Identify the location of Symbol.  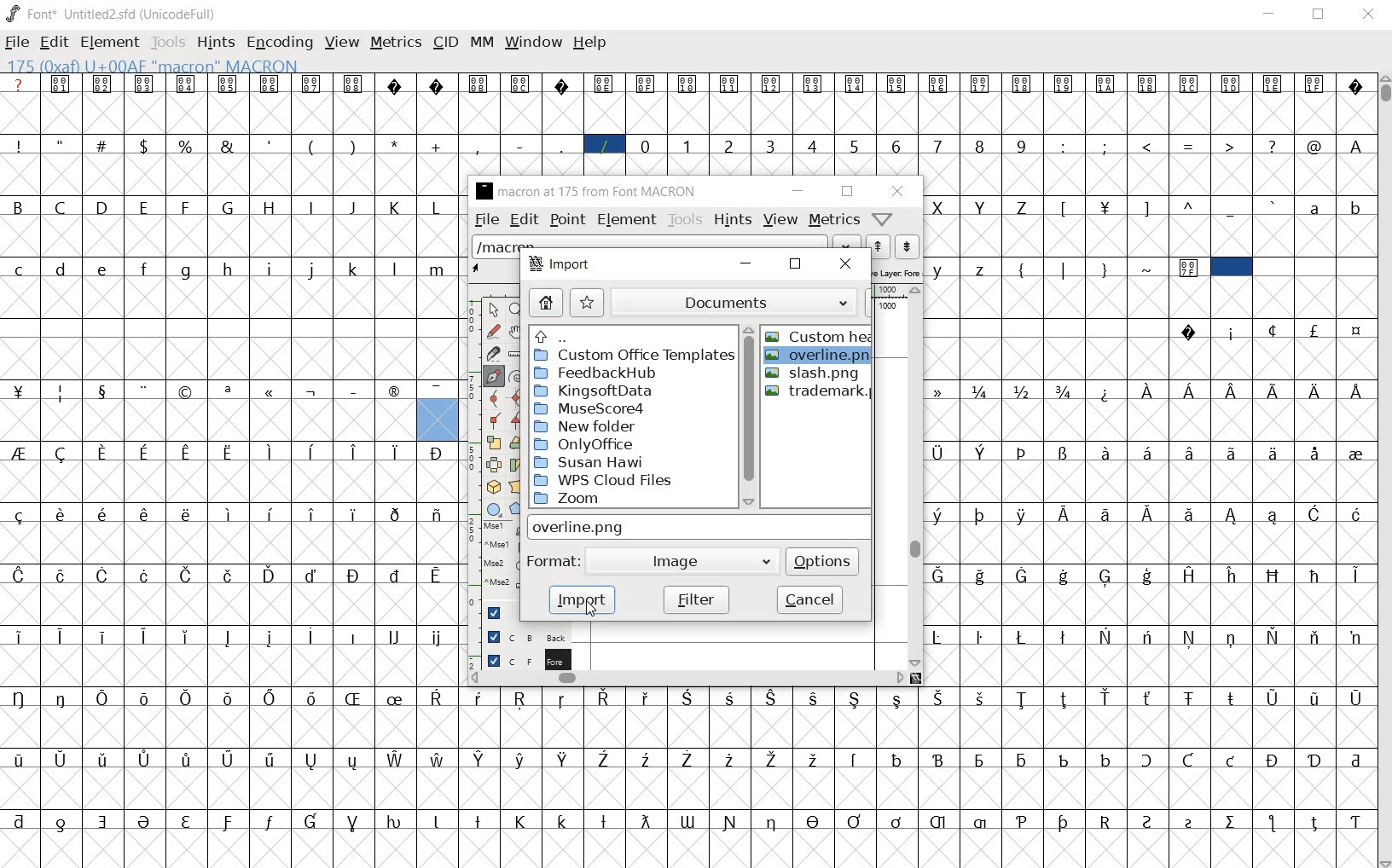
(146, 820).